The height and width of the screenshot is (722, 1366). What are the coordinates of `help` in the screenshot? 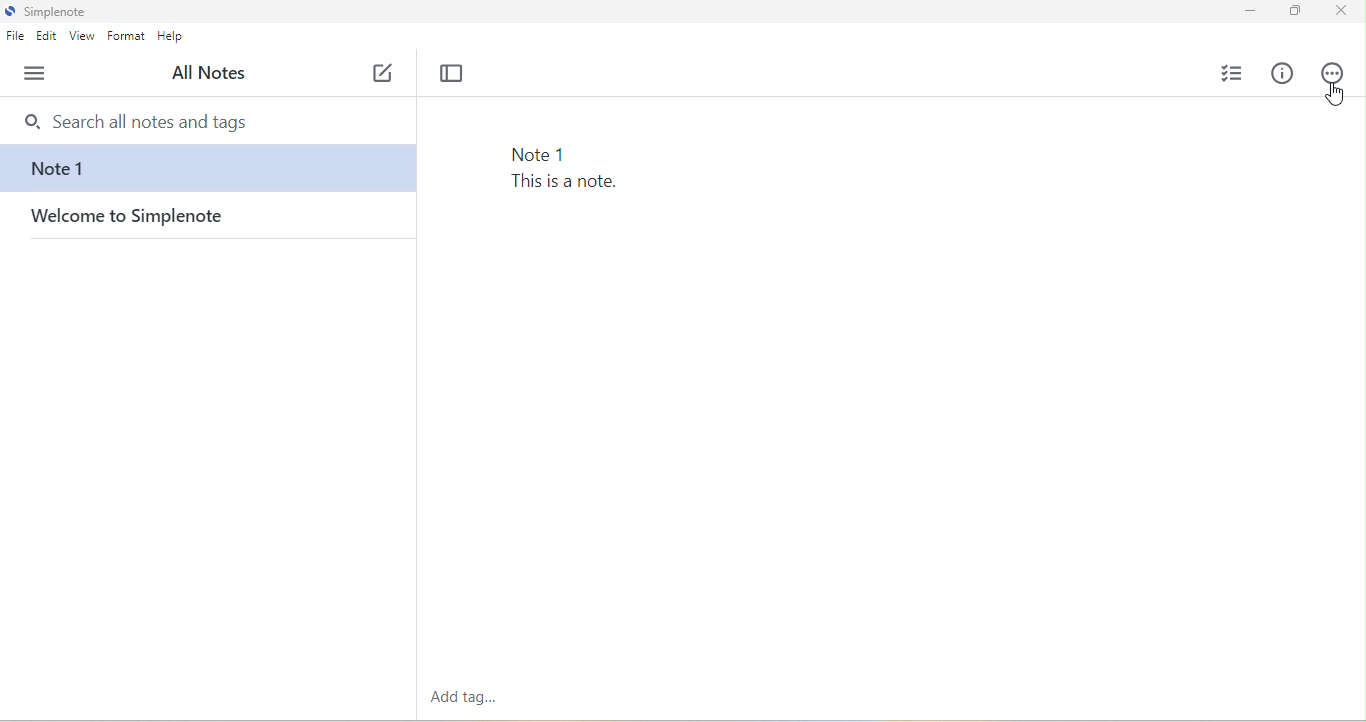 It's located at (171, 37).